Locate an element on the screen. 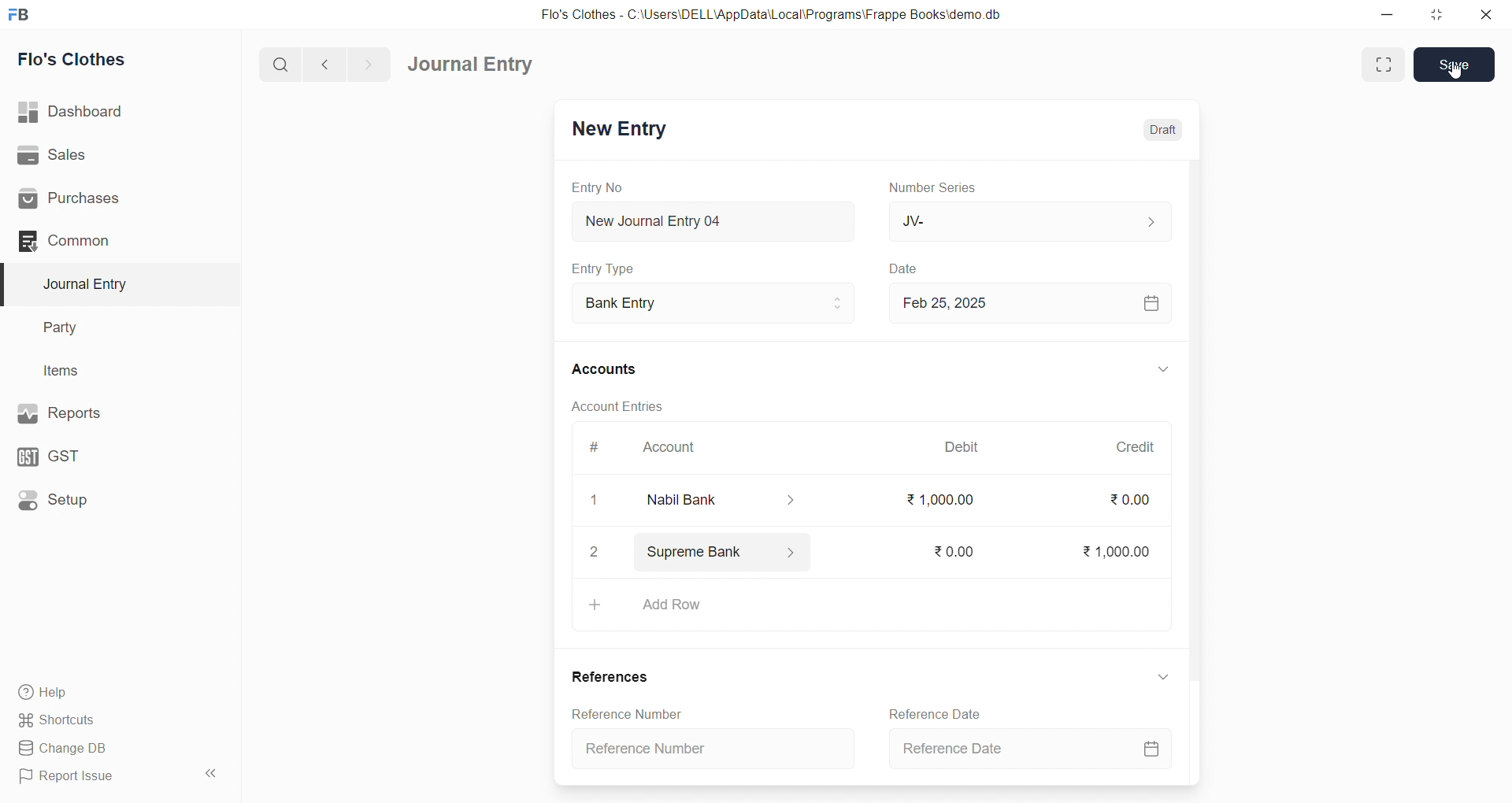 This screenshot has width=1512, height=803. 2 is located at coordinates (595, 553).